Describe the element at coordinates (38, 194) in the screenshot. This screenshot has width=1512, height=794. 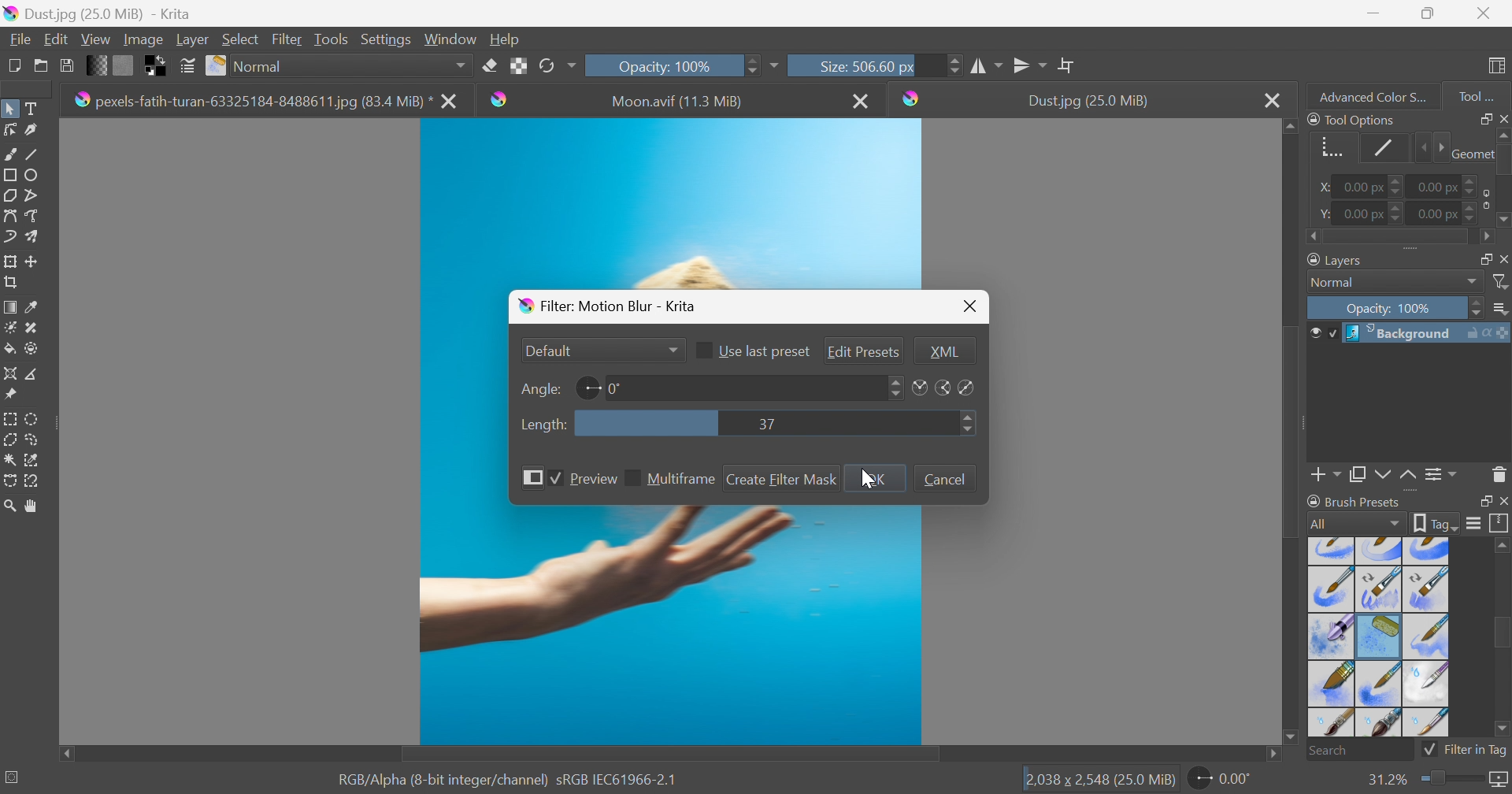
I see `Polyline tool` at that location.